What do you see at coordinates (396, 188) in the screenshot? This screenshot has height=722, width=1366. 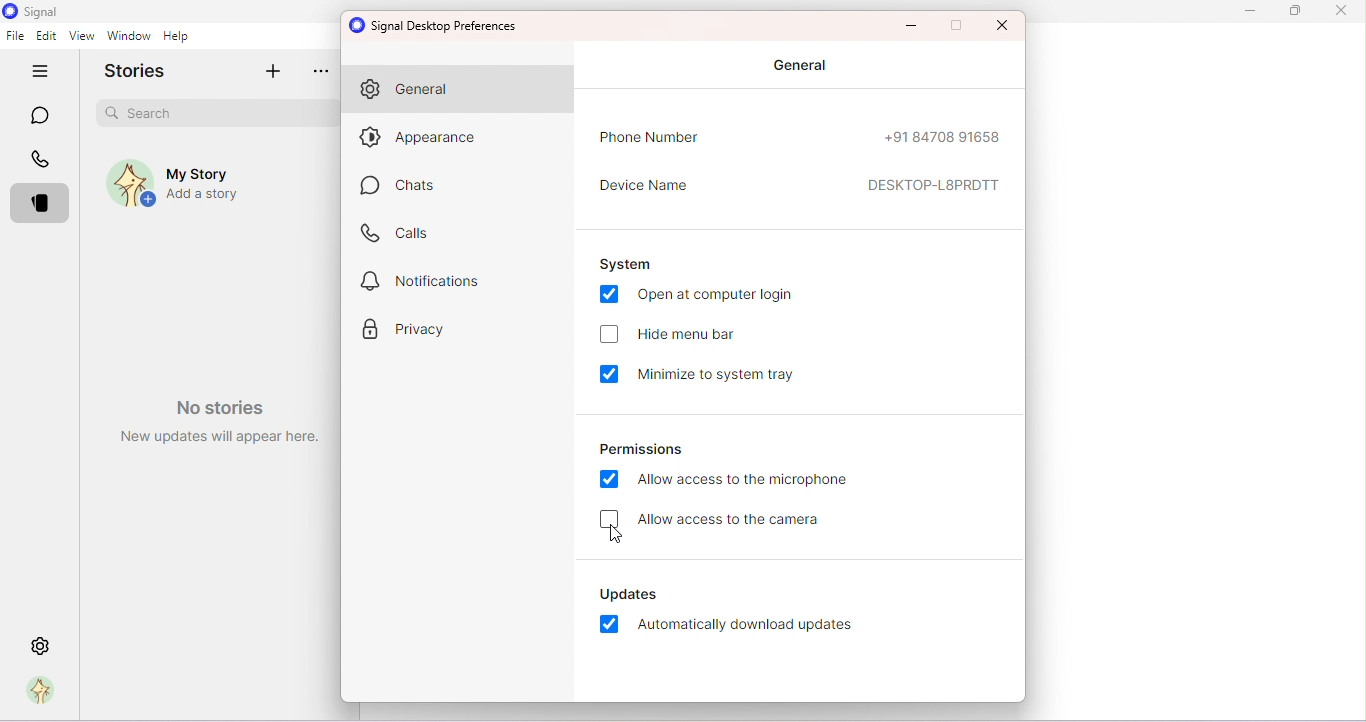 I see `Chats` at bounding box center [396, 188].